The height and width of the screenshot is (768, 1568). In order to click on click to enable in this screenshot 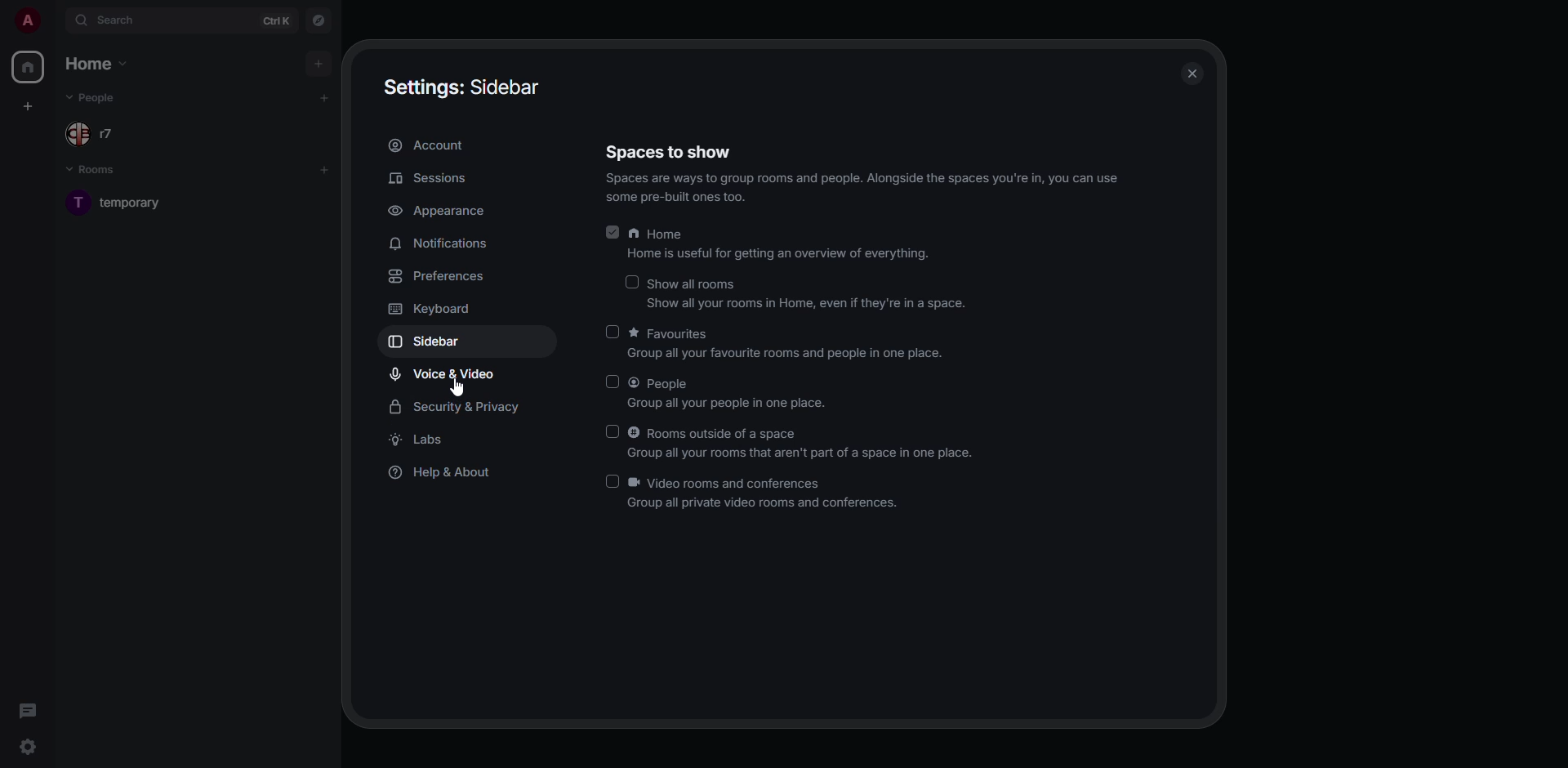, I will do `click(632, 280)`.